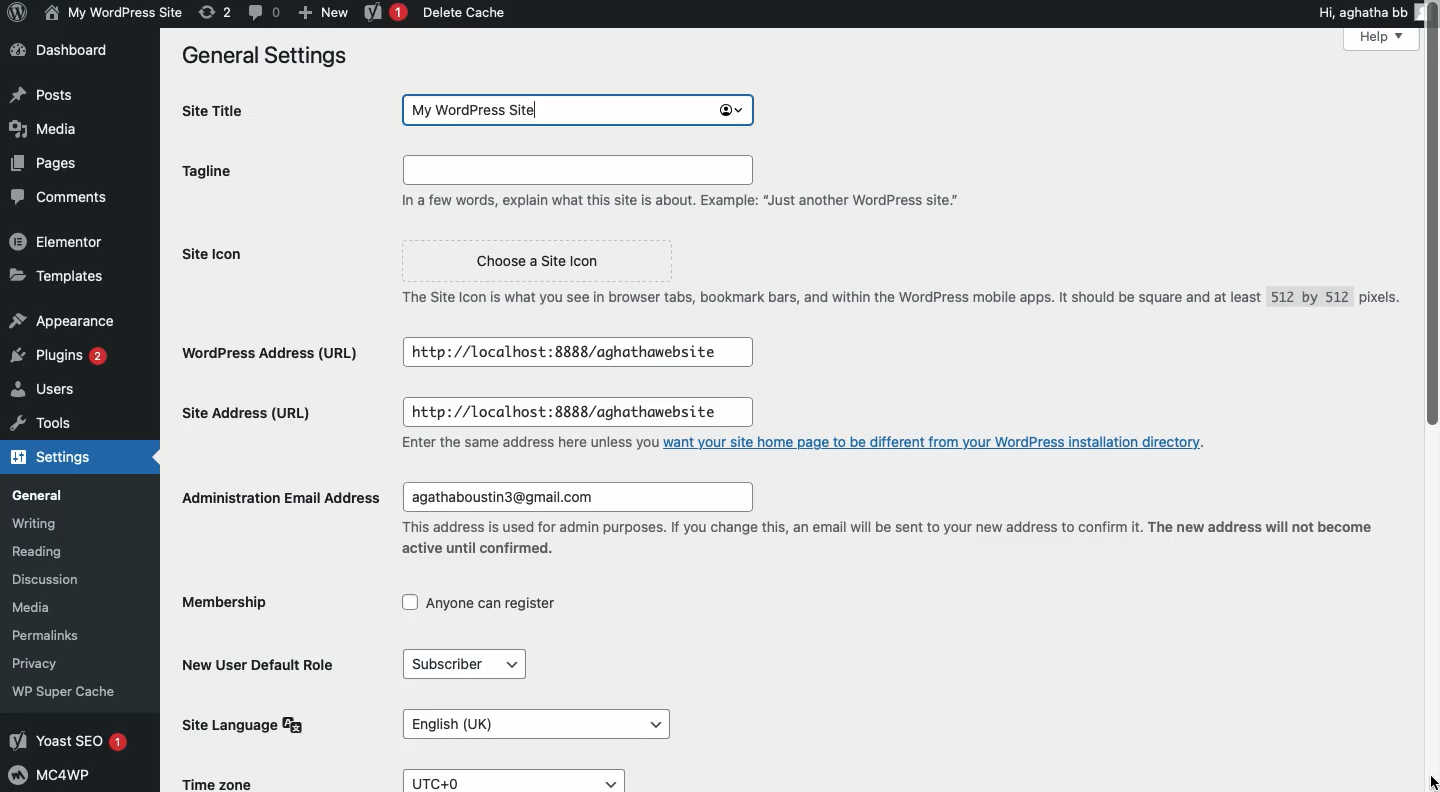 This screenshot has width=1440, height=792. I want to click on Administration email address, so click(278, 501).